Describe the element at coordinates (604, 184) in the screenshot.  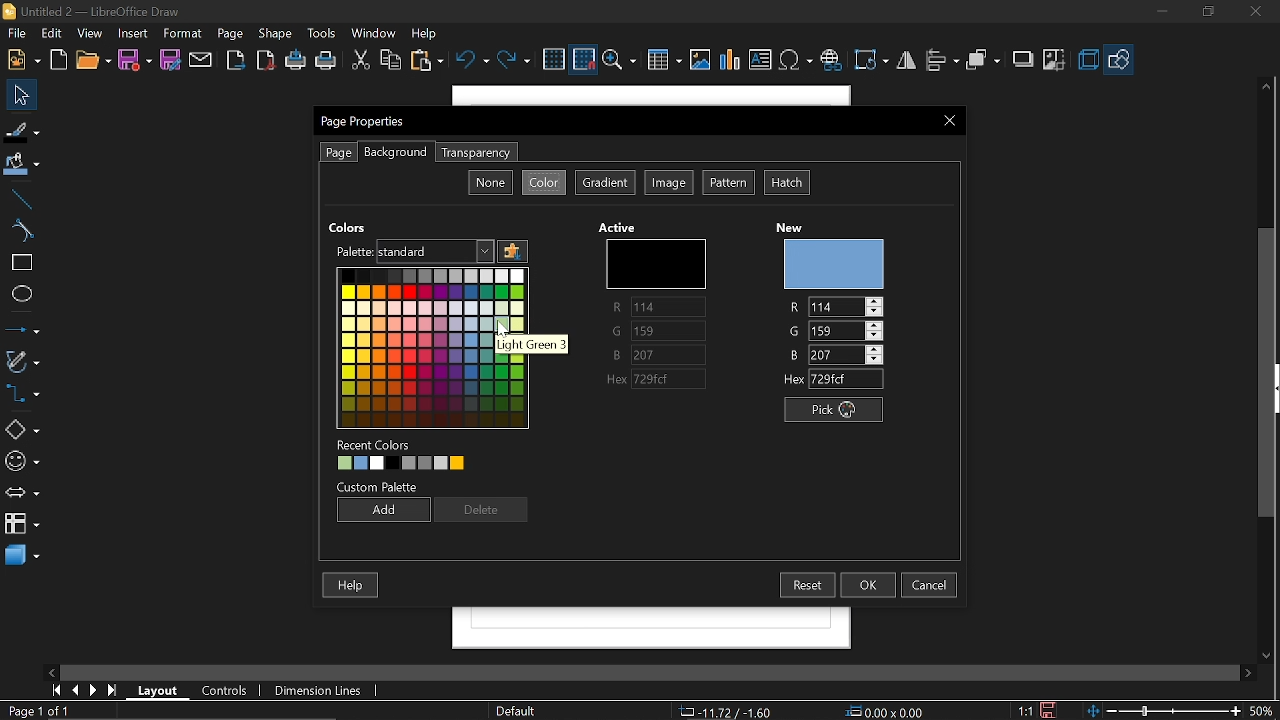
I see `Gradient` at that location.